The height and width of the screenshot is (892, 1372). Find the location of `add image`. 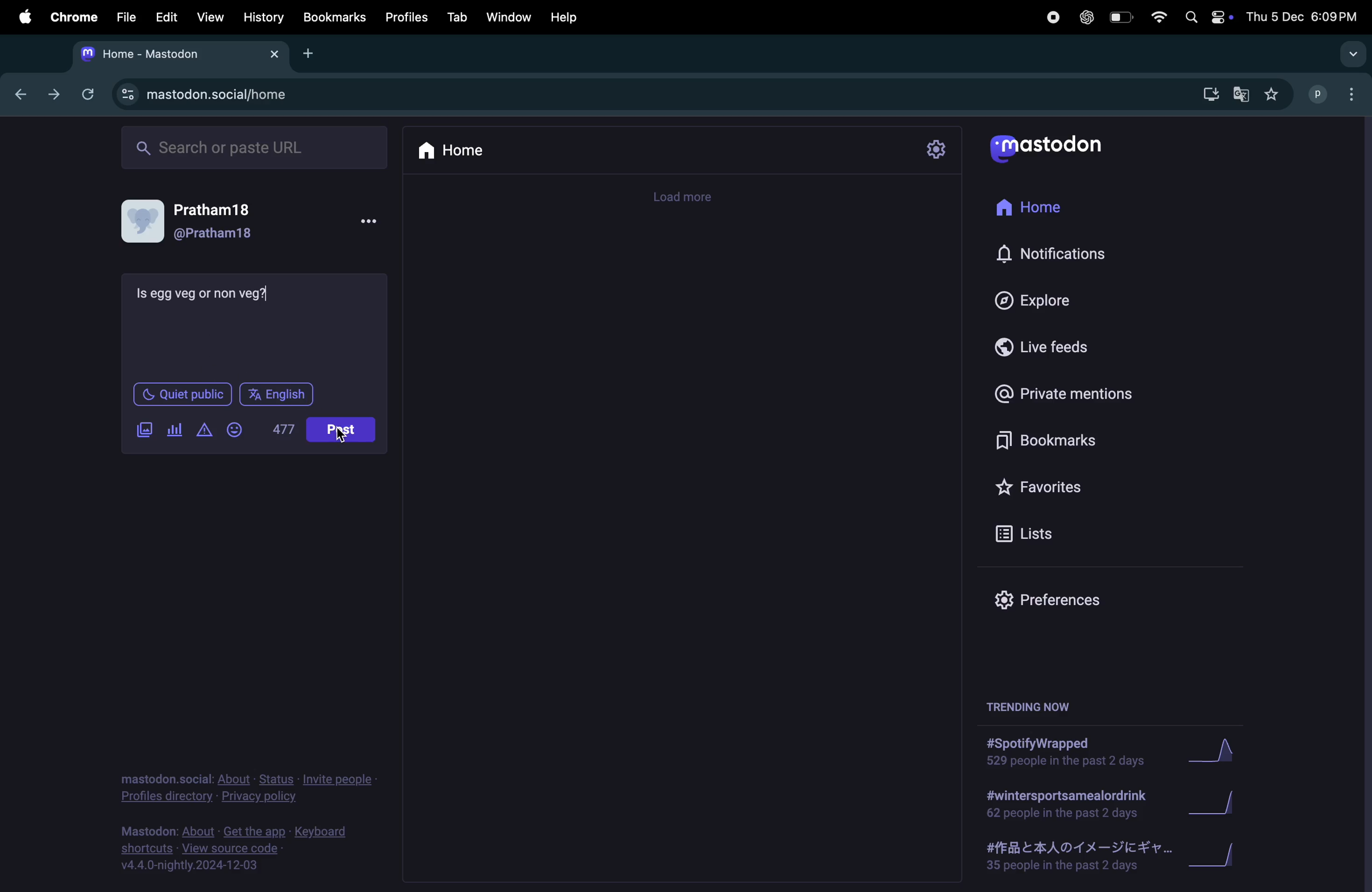

add image is located at coordinates (145, 429).